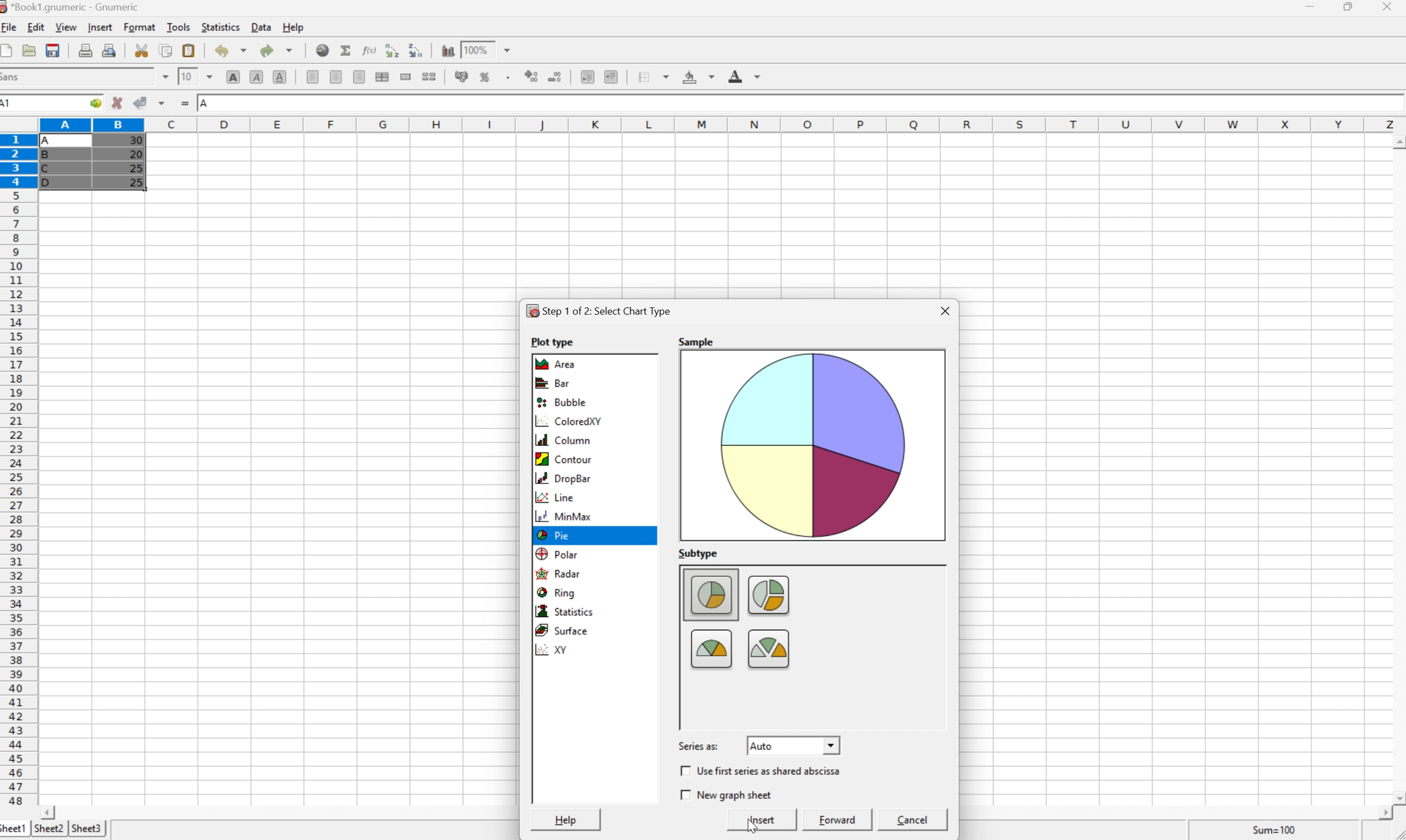  Describe the element at coordinates (50, 812) in the screenshot. I see `Scroll Left` at that location.